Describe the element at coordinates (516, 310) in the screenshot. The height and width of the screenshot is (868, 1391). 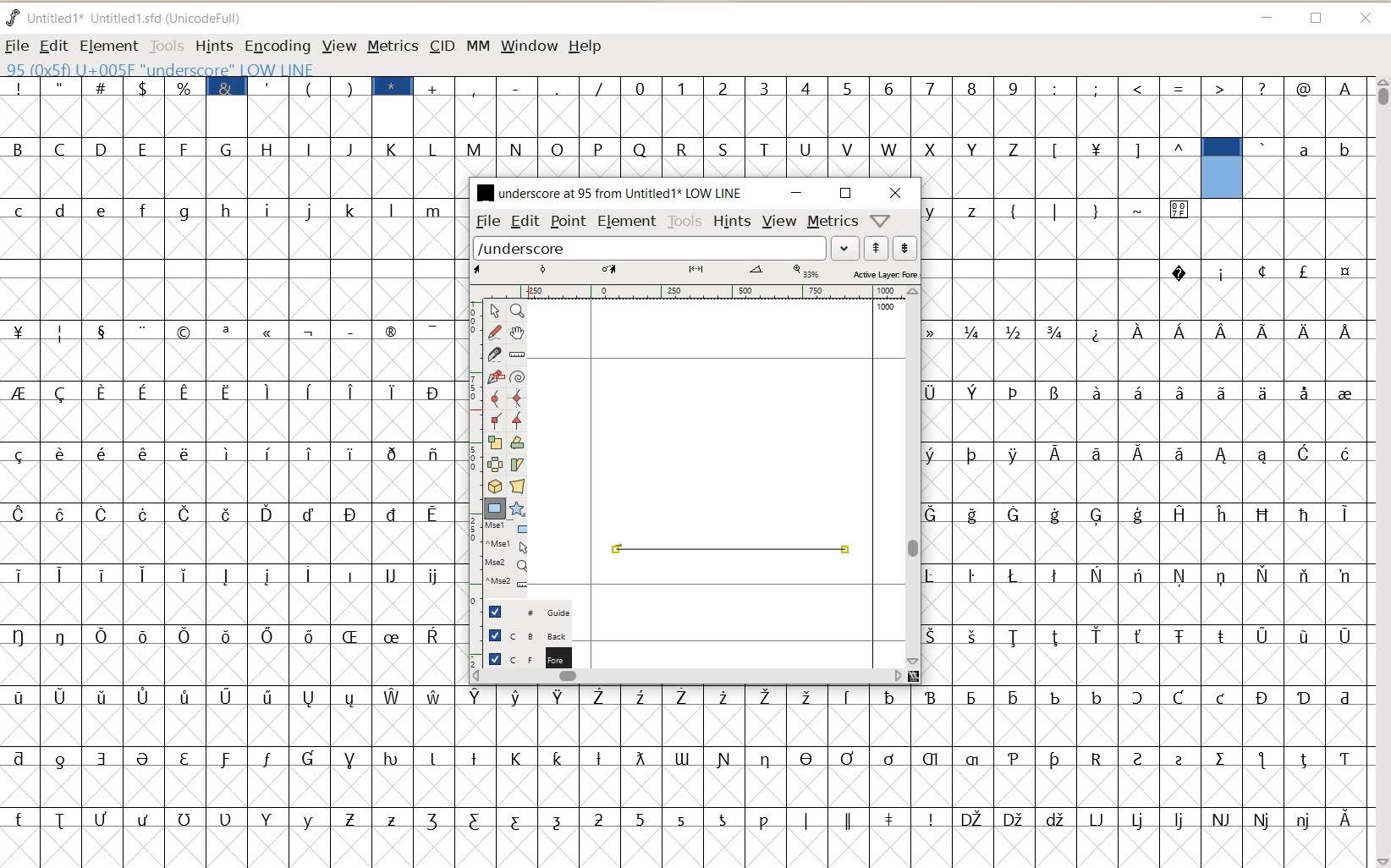
I see `Magnify` at that location.